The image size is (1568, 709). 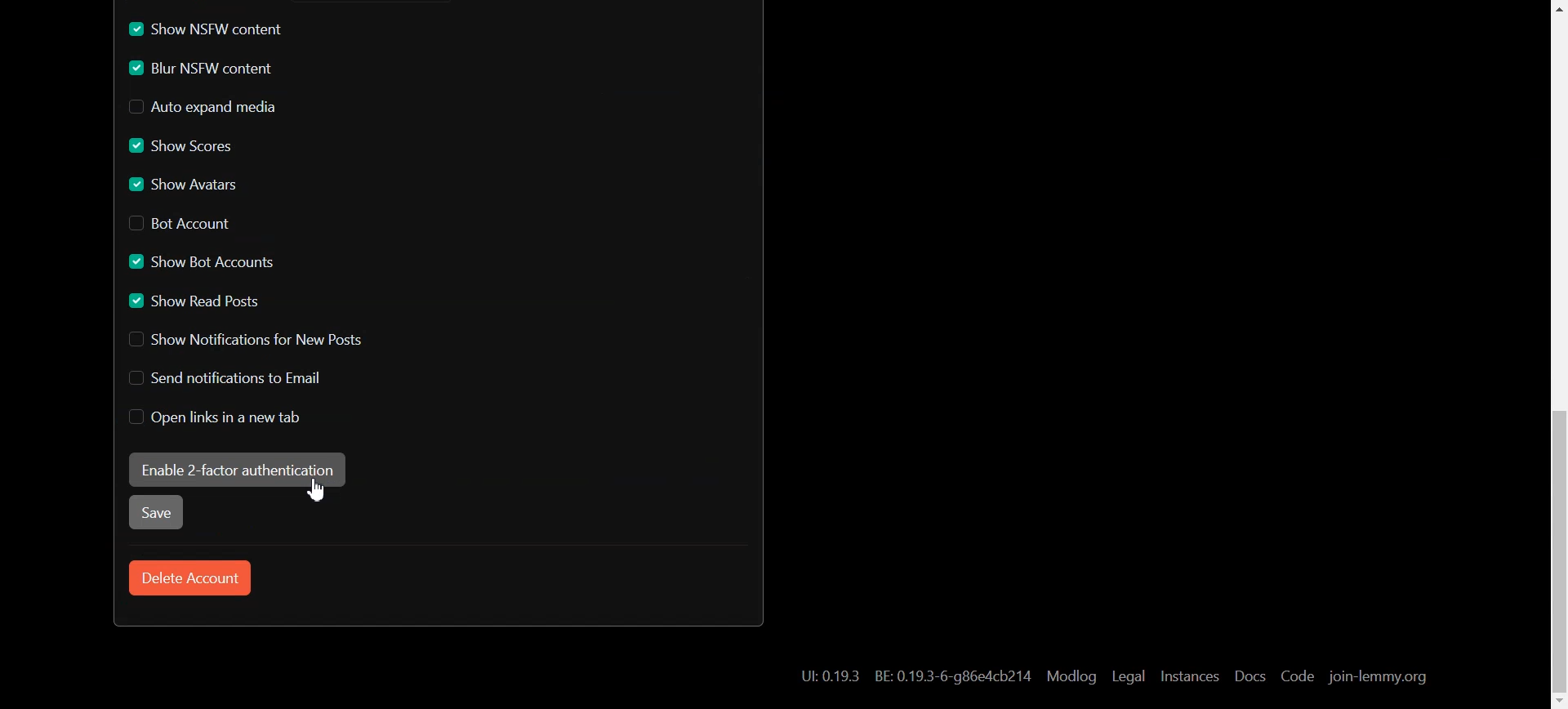 What do you see at coordinates (181, 145) in the screenshot?
I see `Enable Show Scores` at bounding box center [181, 145].